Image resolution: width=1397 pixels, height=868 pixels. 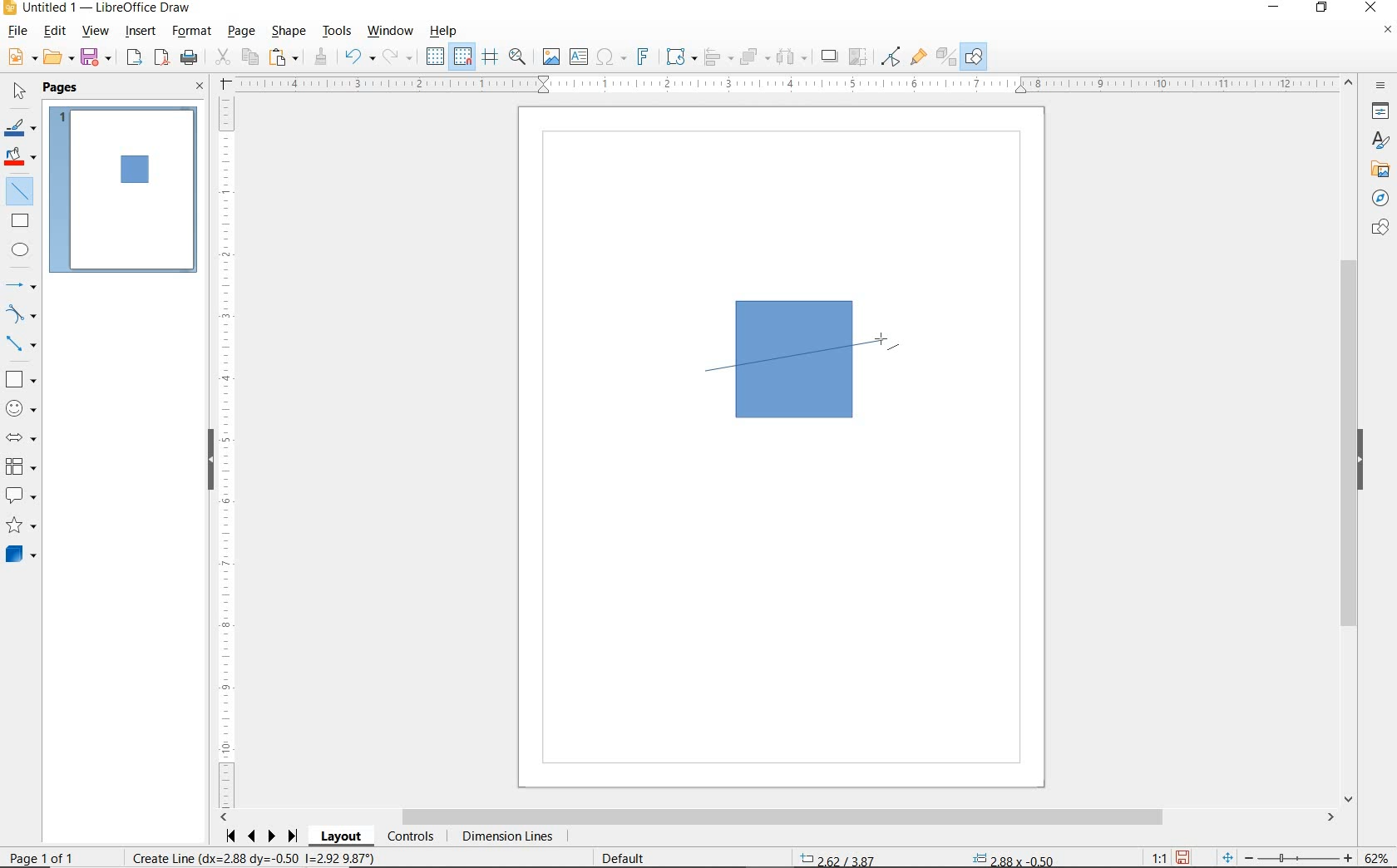 What do you see at coordinates (22, 159) in the screenshot?
I see `FILL COLOR` at bounding box center [22, 159].